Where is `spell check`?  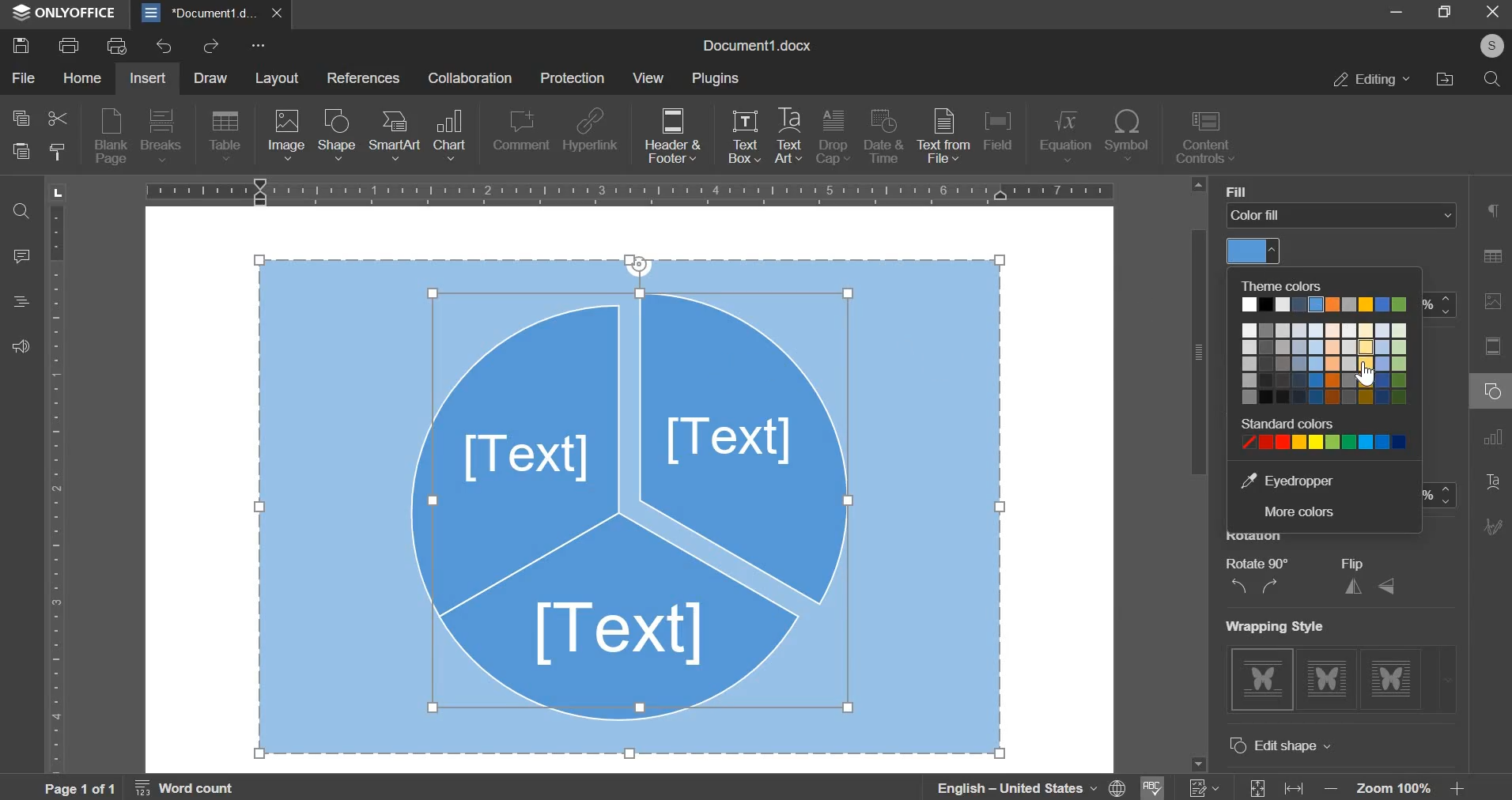
spell check is located at coordinates (1151, 787).